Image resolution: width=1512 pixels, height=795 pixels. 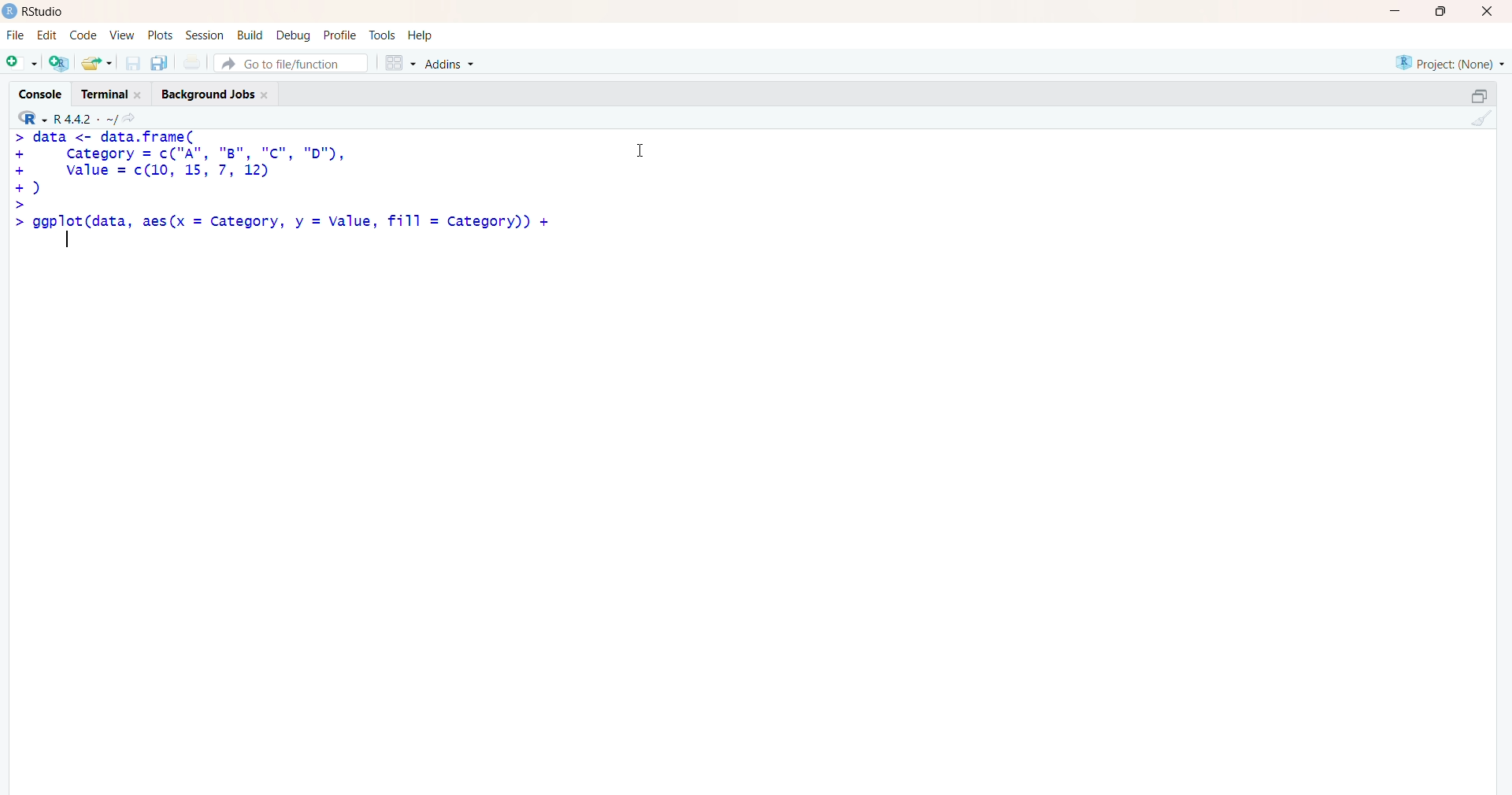 What do you see at coordinates (339, 36) in the screenshot?
I see `profile` at bounding box center [339, 36].